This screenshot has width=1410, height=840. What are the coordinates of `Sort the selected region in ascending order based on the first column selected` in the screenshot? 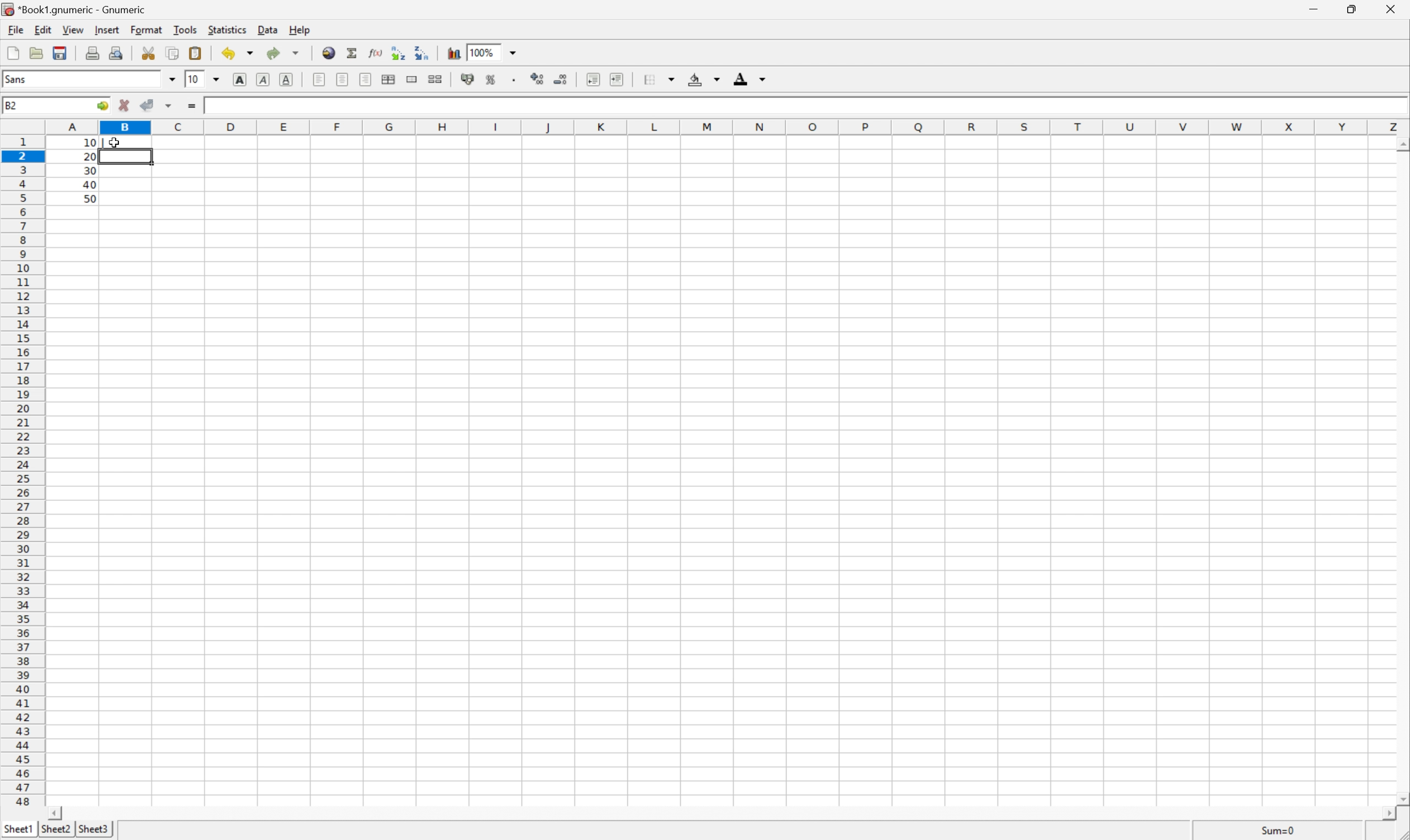 It's located at (399, 52).